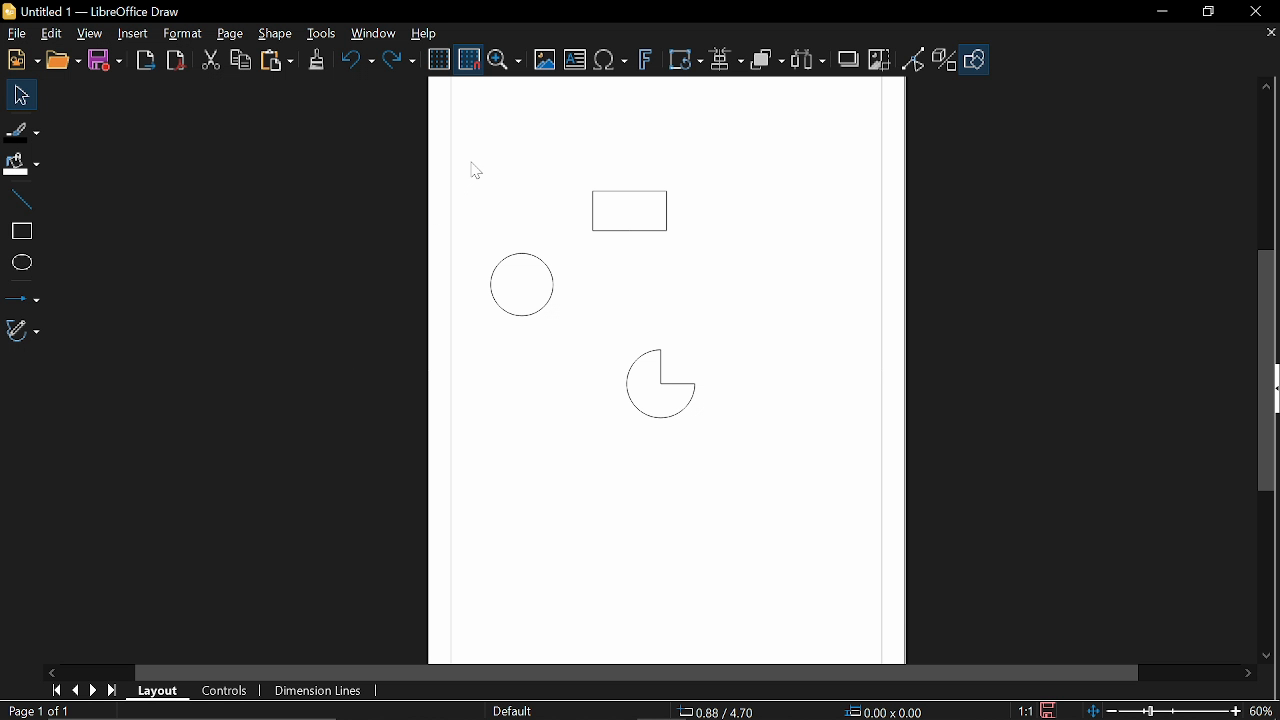 Image resolution: width=1280 pixels, height=720 pixels. What do you see at coordinates (226, 35) in the screenshot?
I see `Page` at bounding box center [226, 35].